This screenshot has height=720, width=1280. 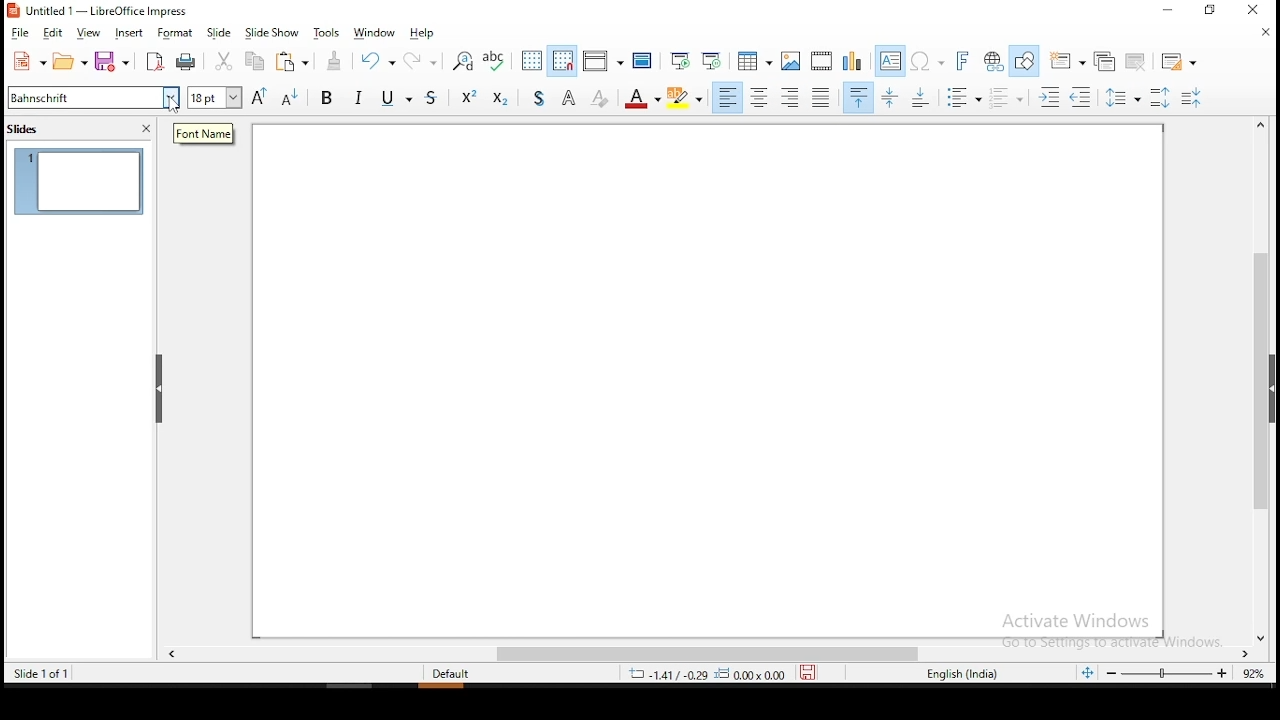 I want to click on zoom level, so click(x=1254, y=674).